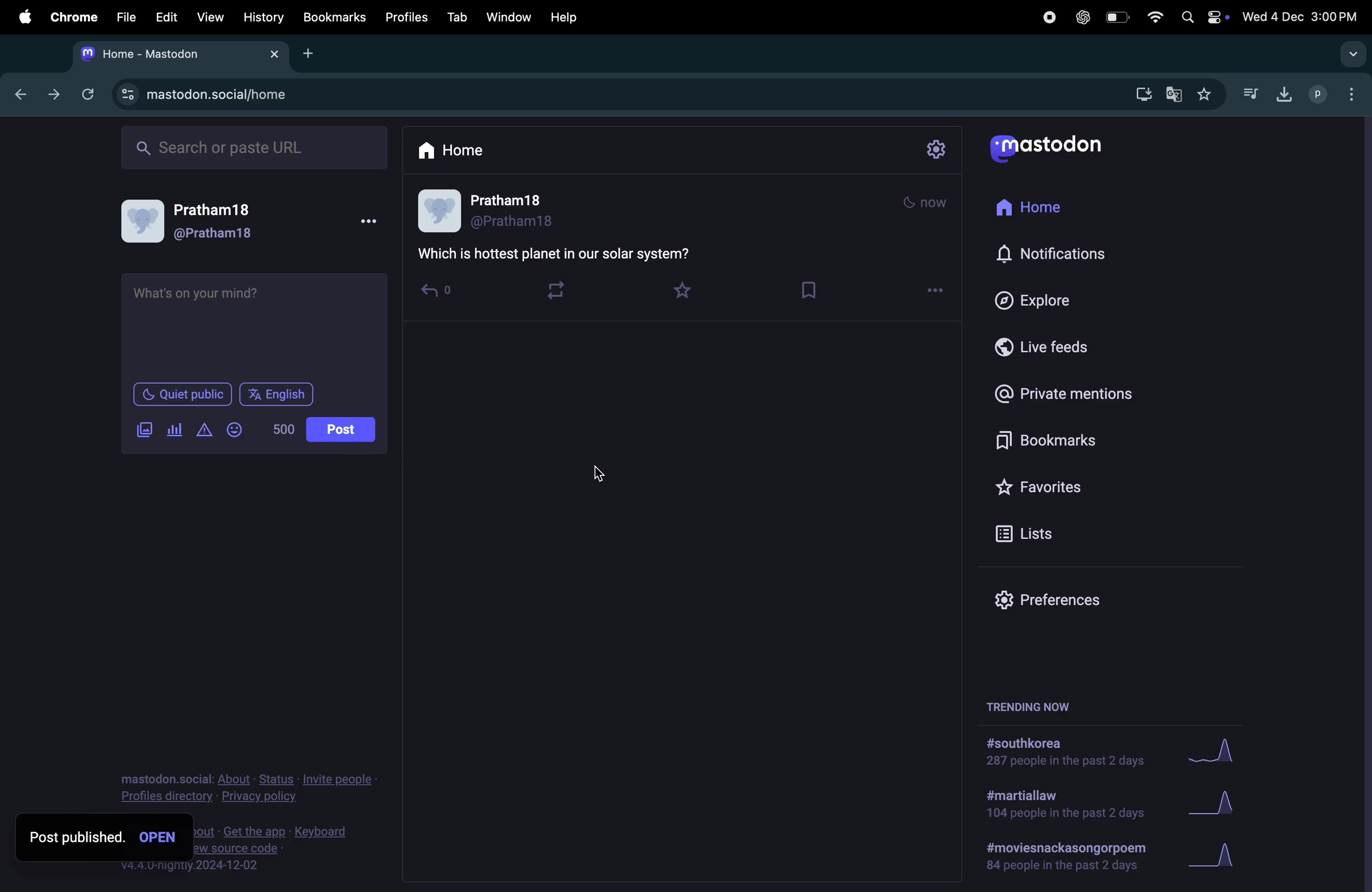 The width and height of the screenshot is (1372, 892). What do you see at coordinates (244, 785) in the screenshot?
I see `privacy and policy` at bounding box center [244, 785].